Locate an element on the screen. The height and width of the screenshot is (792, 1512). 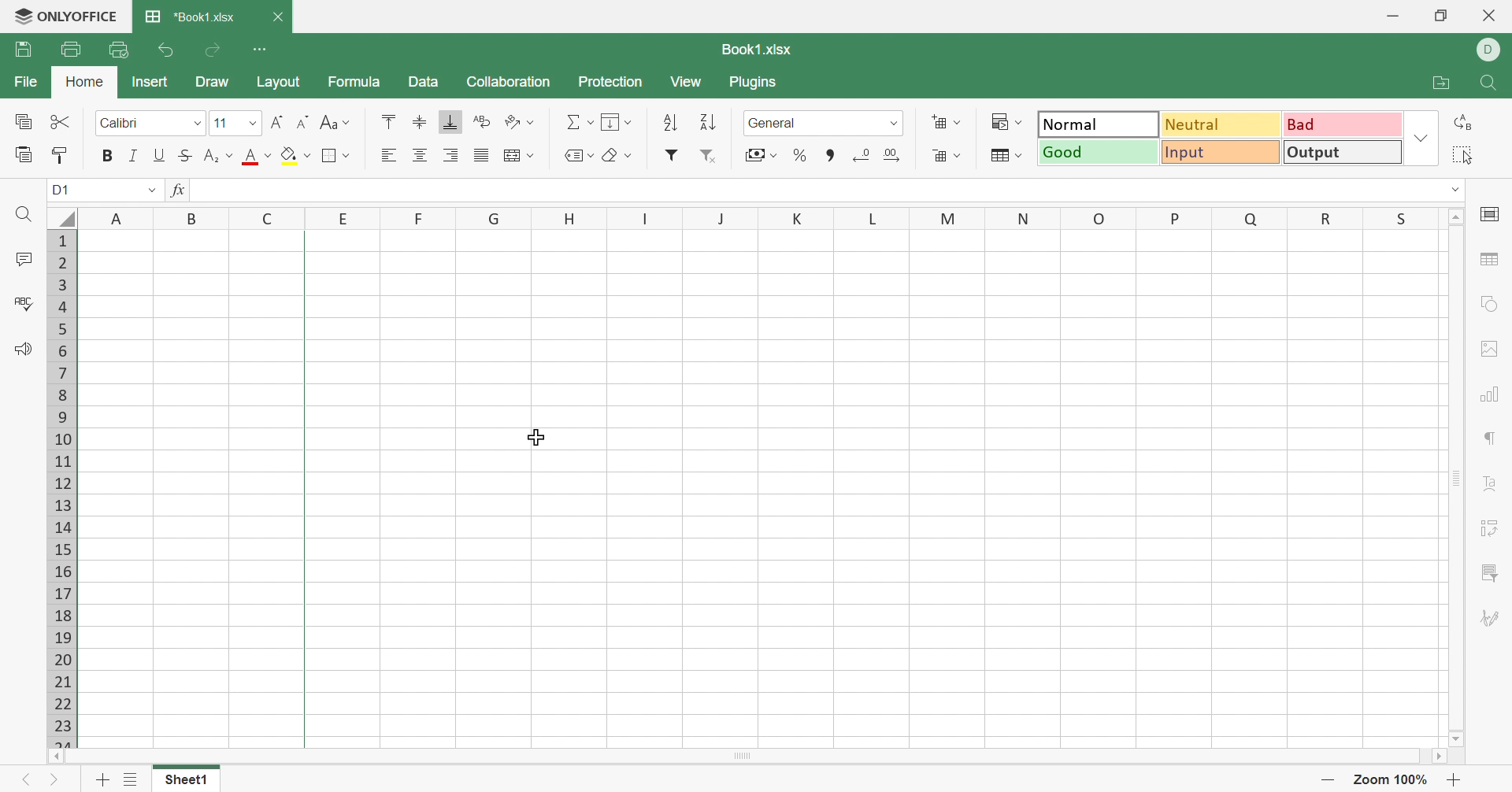
Cut is located at coordinates (61, 124).